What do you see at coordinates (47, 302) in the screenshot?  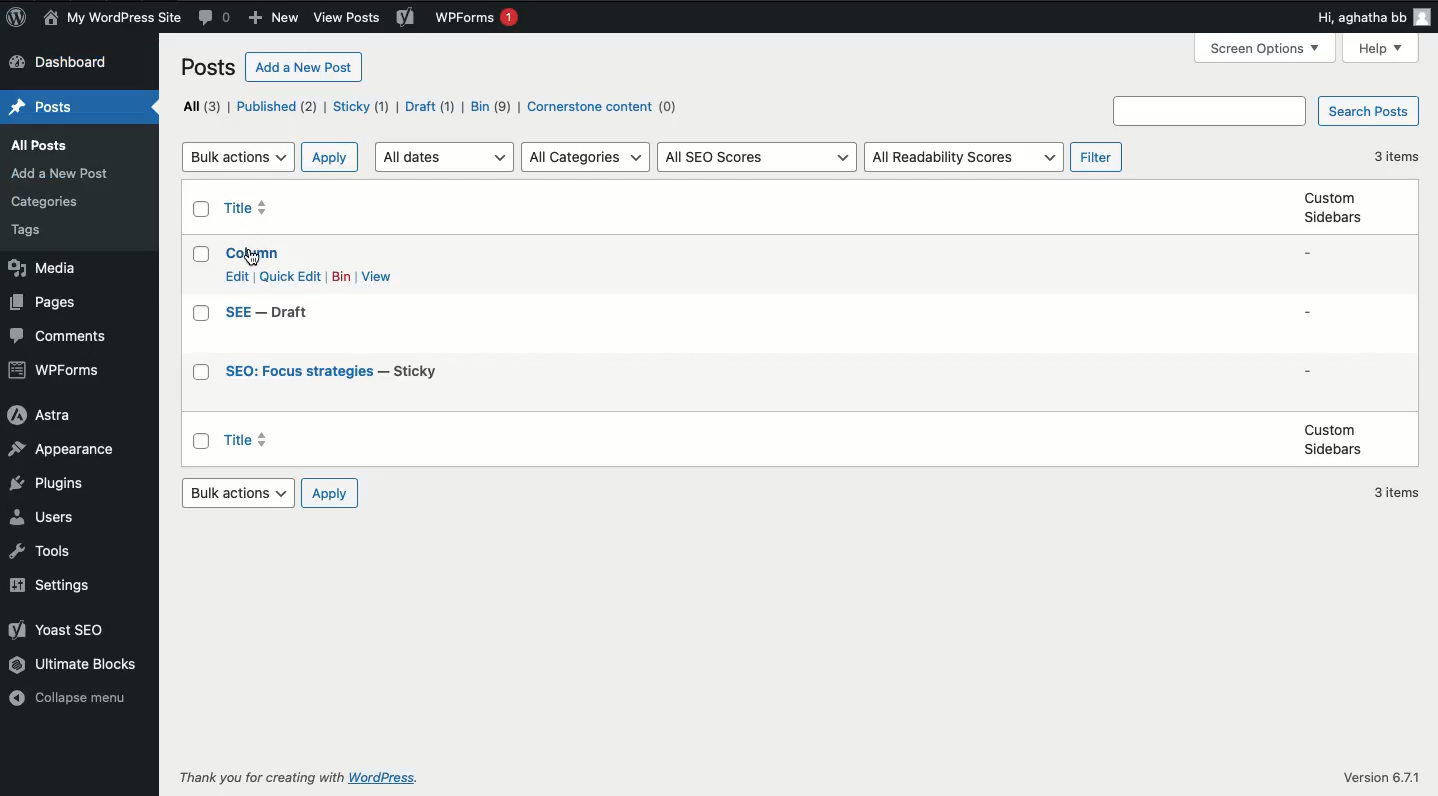 I see `Pages` at bounding box center [47, 302].